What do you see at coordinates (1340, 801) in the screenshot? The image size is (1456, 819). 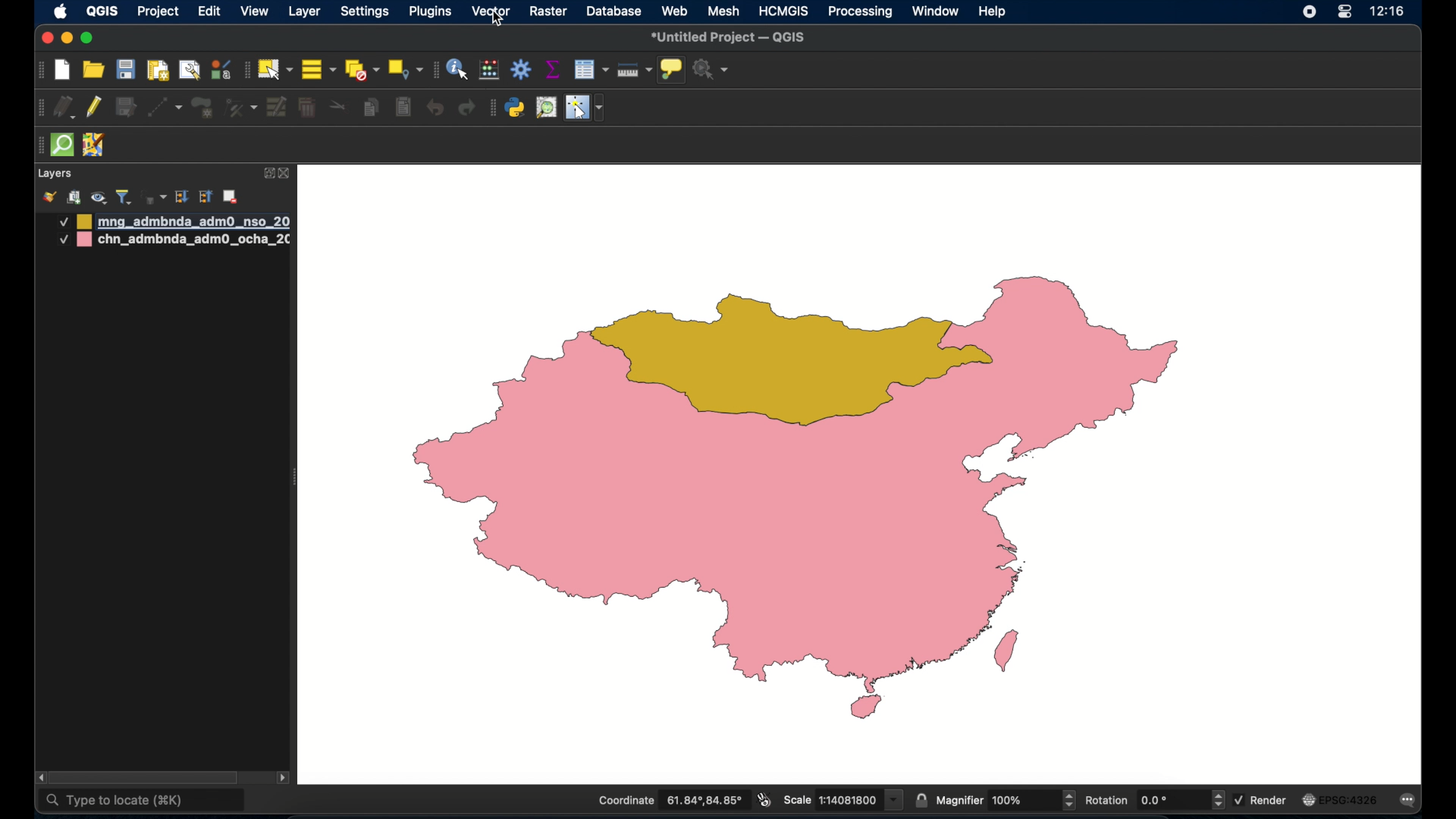 I see `EPSG:4326` at bounding box center [1340, 801].